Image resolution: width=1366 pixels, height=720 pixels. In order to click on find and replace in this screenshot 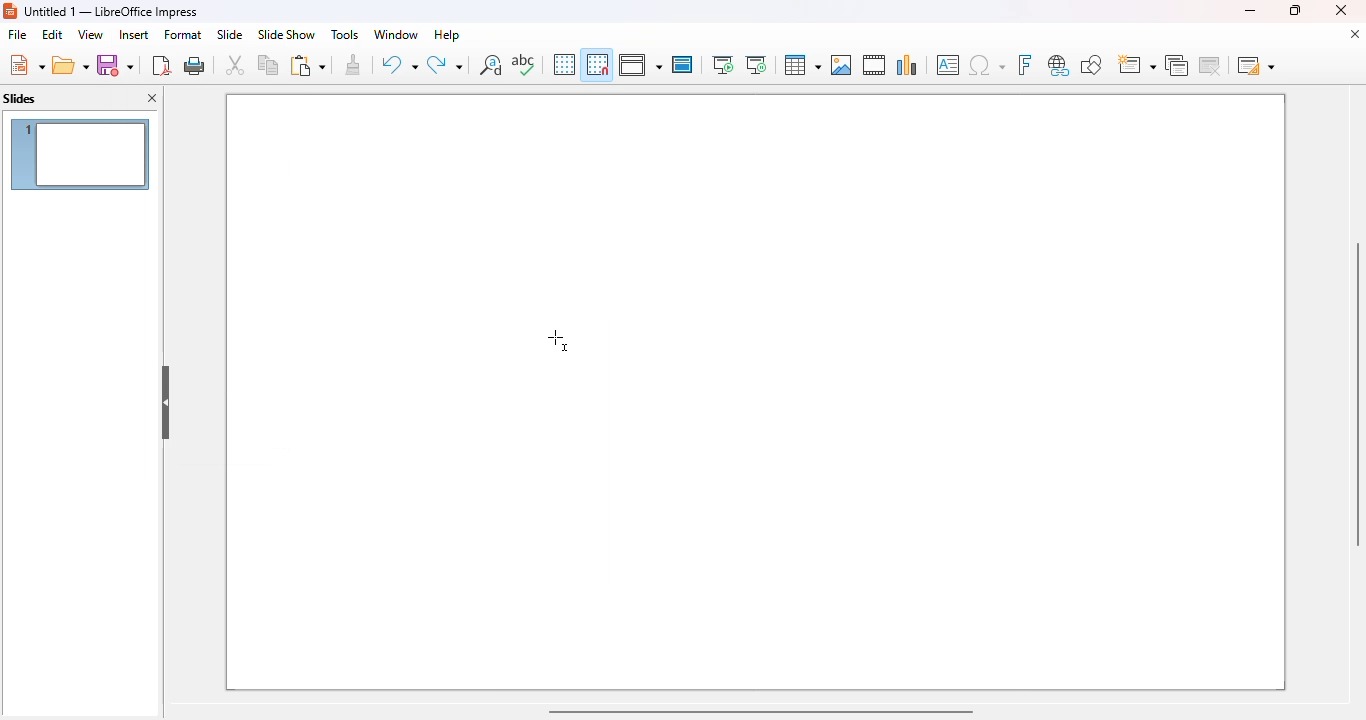, I will do `click(491, 64)`.